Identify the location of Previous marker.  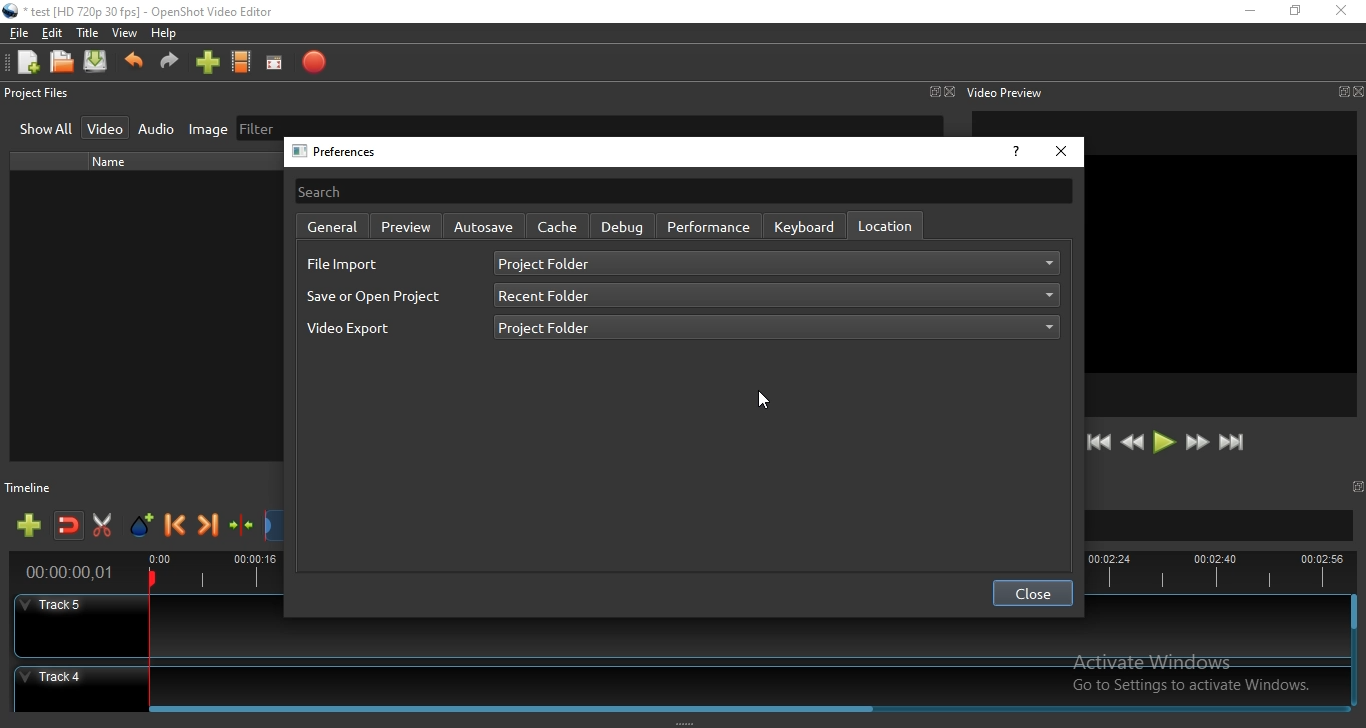
(176, 527).